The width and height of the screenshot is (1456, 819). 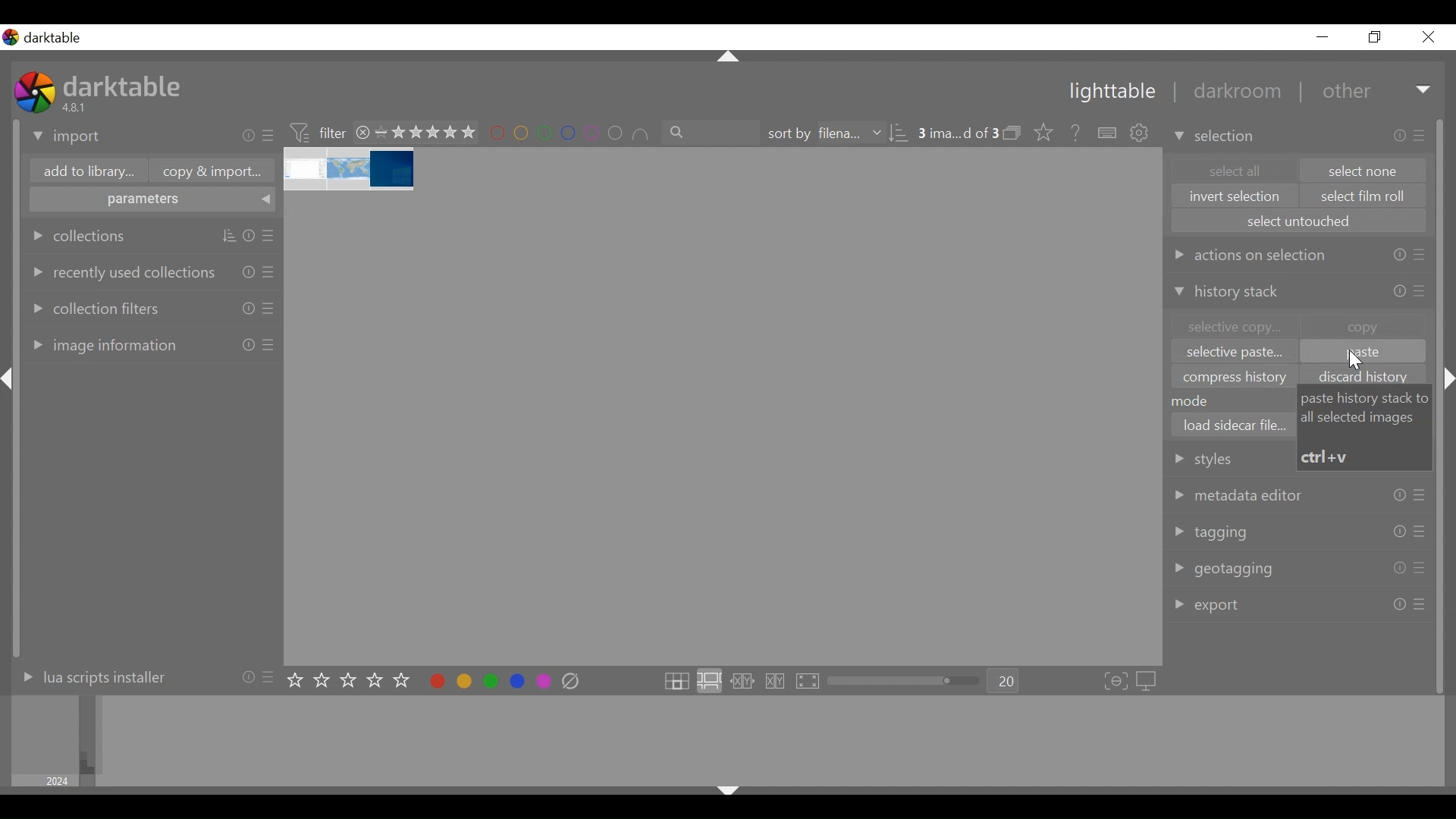 I want to click on filter by text, so click(x=712, y=133).